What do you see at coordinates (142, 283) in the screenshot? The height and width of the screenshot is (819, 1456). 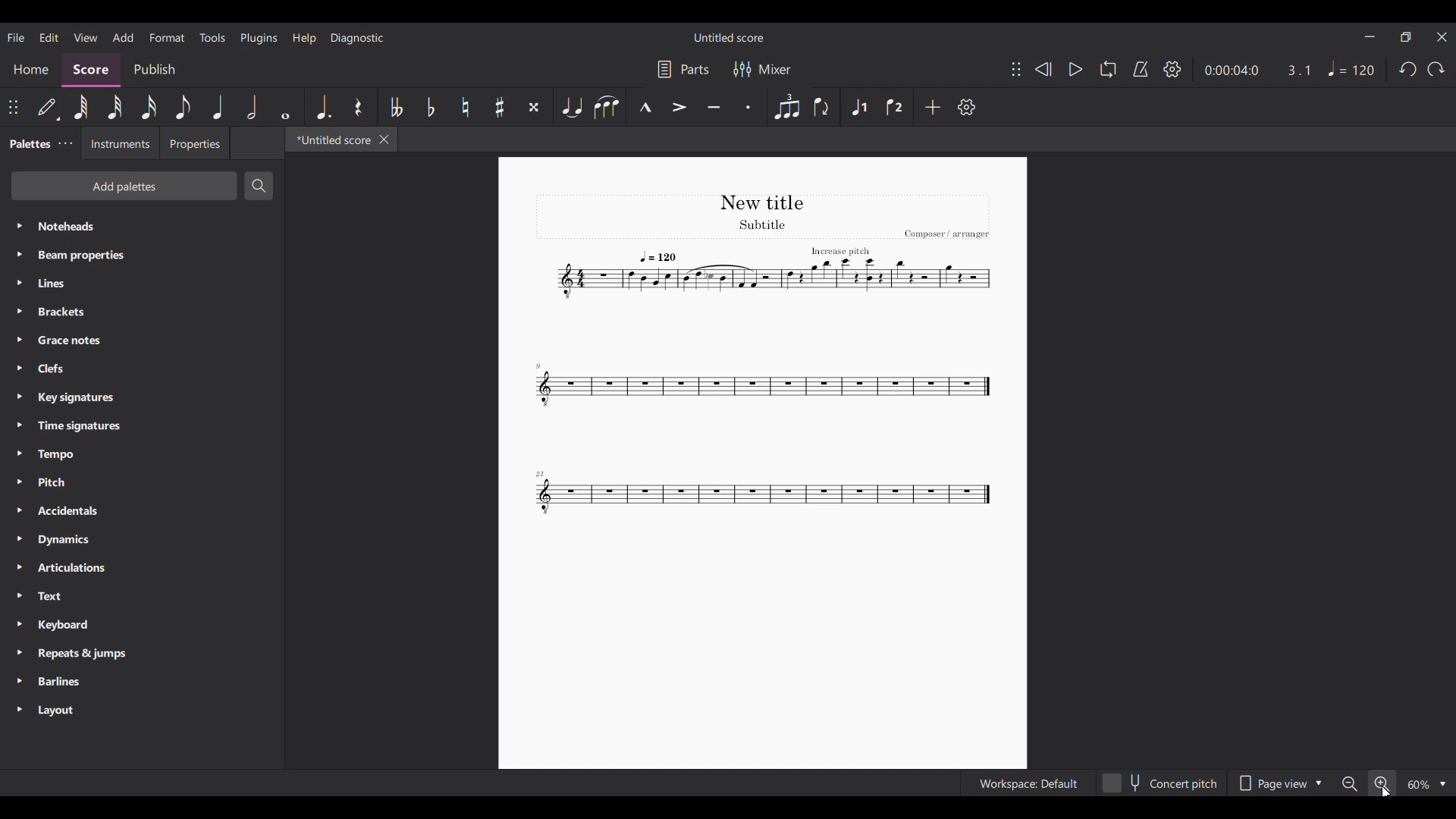 I see `Lines` at bounding box center [142, 283].